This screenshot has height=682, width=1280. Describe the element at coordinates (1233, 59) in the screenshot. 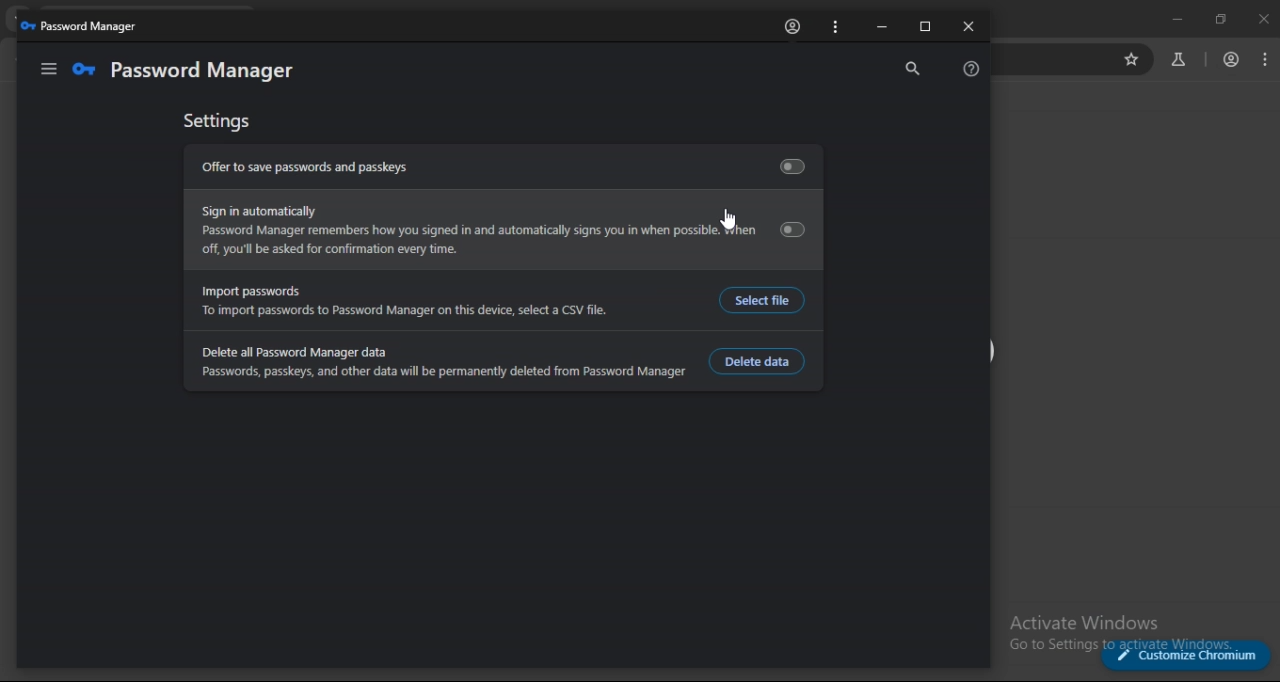

I see `account` at that location.